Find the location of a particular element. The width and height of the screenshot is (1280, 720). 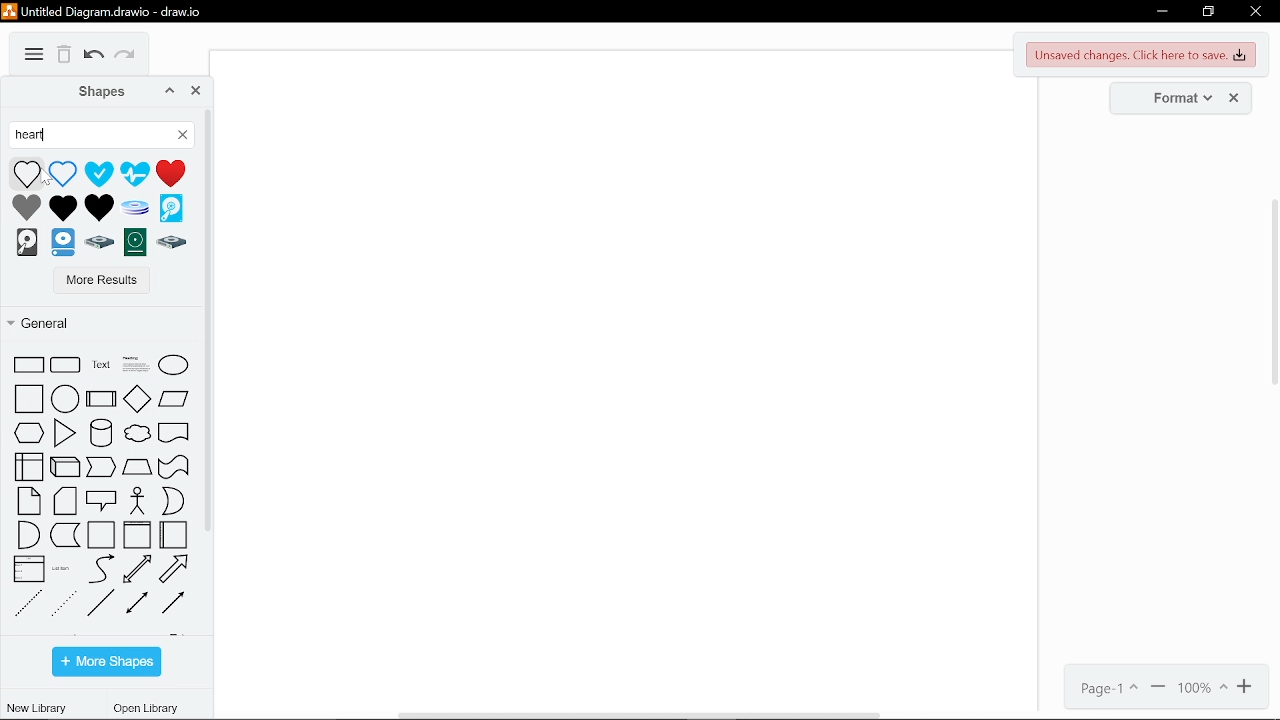

list item is located at coordinates (63, 433).